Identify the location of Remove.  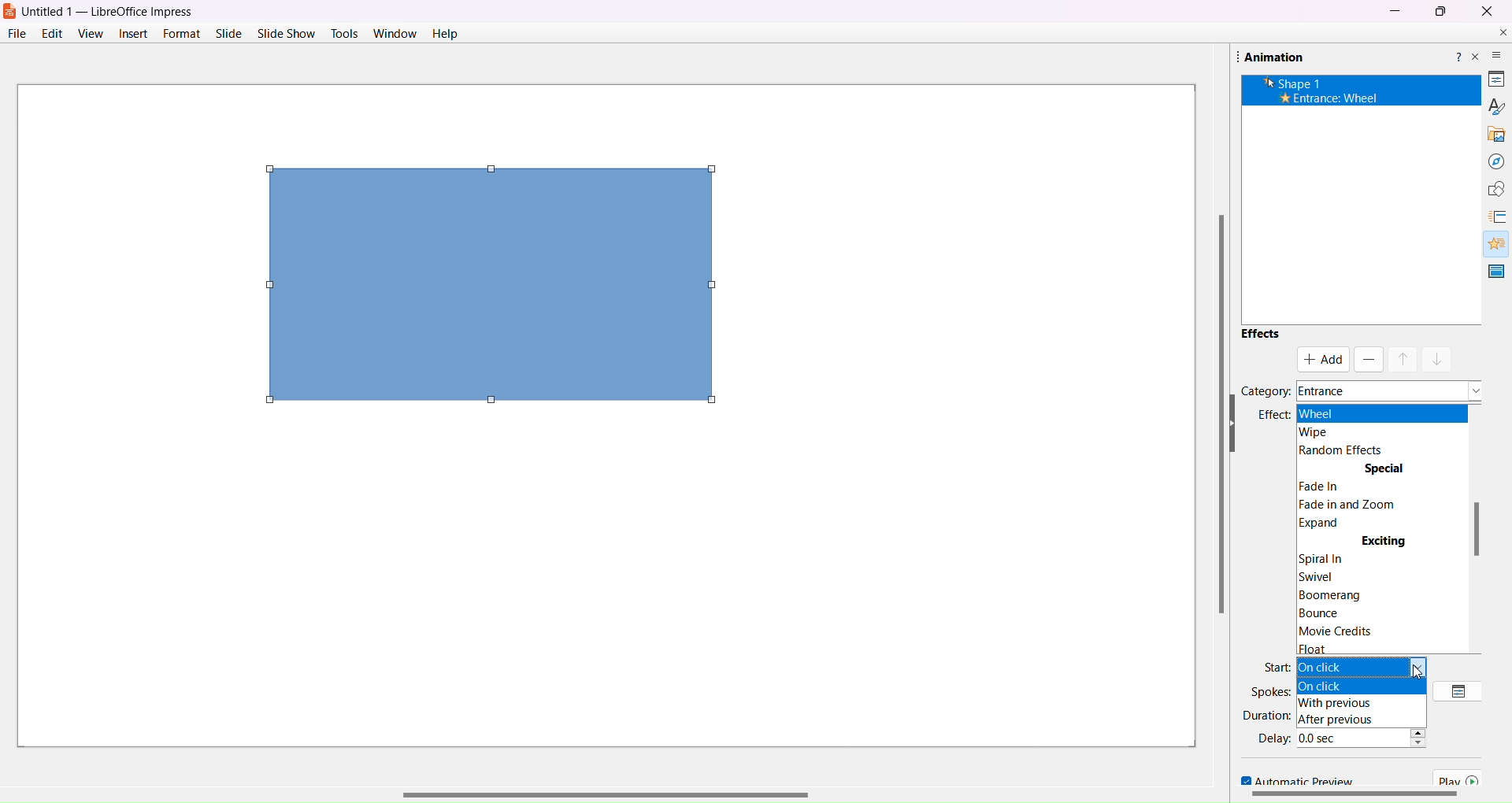
(1367, 360).